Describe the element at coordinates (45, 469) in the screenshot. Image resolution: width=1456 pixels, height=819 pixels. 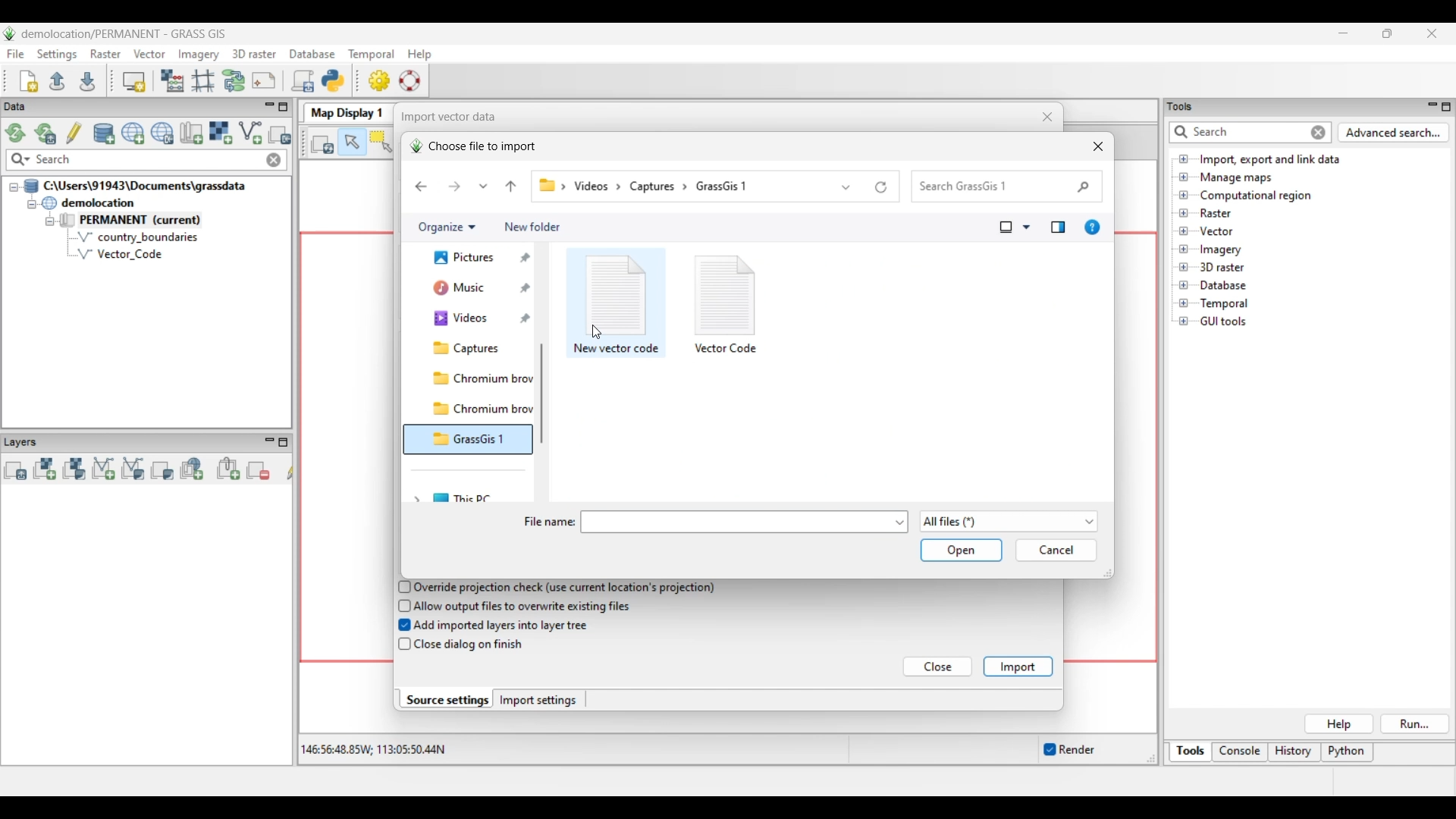
I see `Add raster map layer` at that location.